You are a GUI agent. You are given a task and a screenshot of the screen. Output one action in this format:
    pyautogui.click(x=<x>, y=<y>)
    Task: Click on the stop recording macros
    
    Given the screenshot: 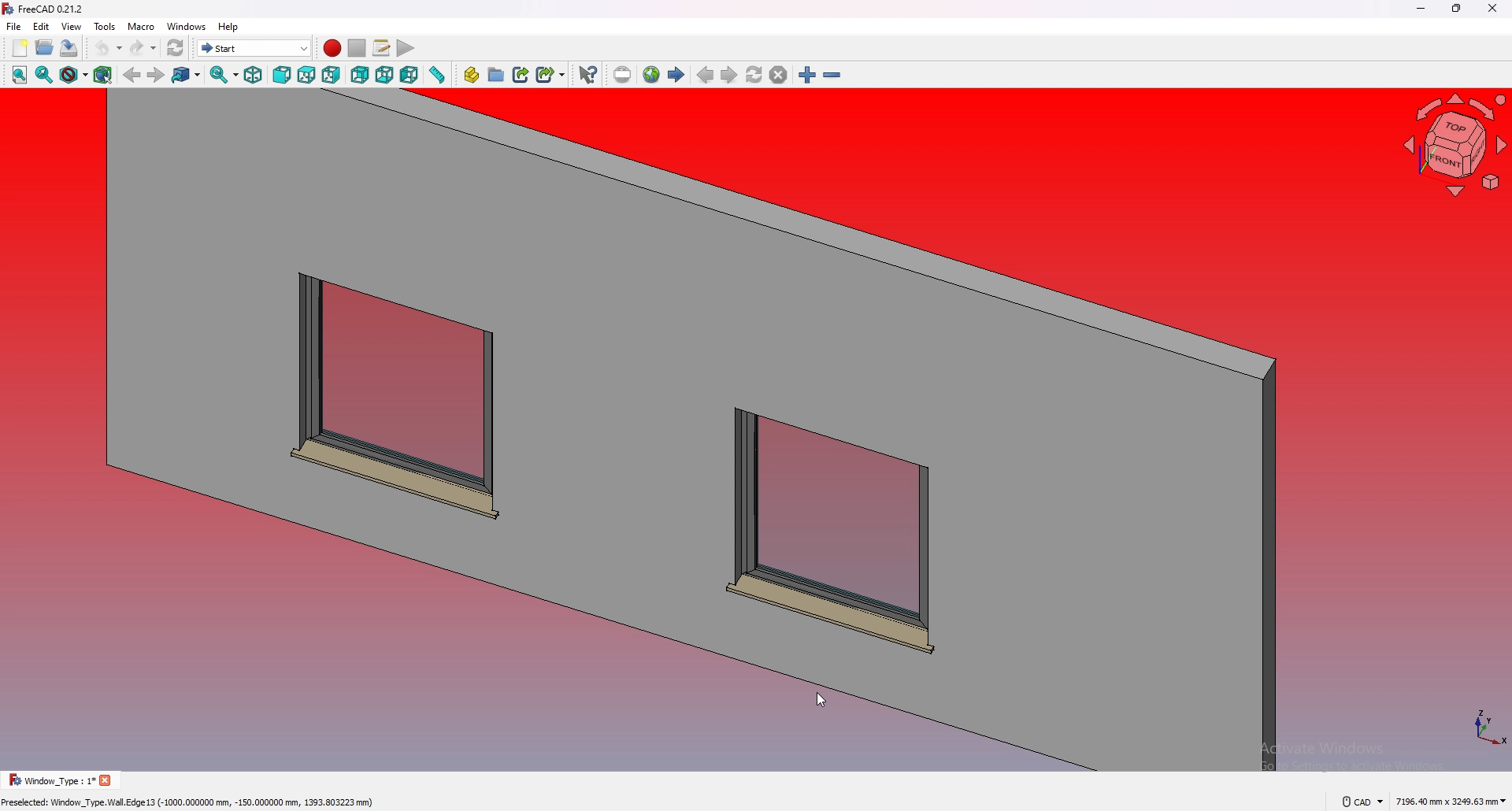 What is the action you would take?
    pyautogui.click(x=357, y=48)
    